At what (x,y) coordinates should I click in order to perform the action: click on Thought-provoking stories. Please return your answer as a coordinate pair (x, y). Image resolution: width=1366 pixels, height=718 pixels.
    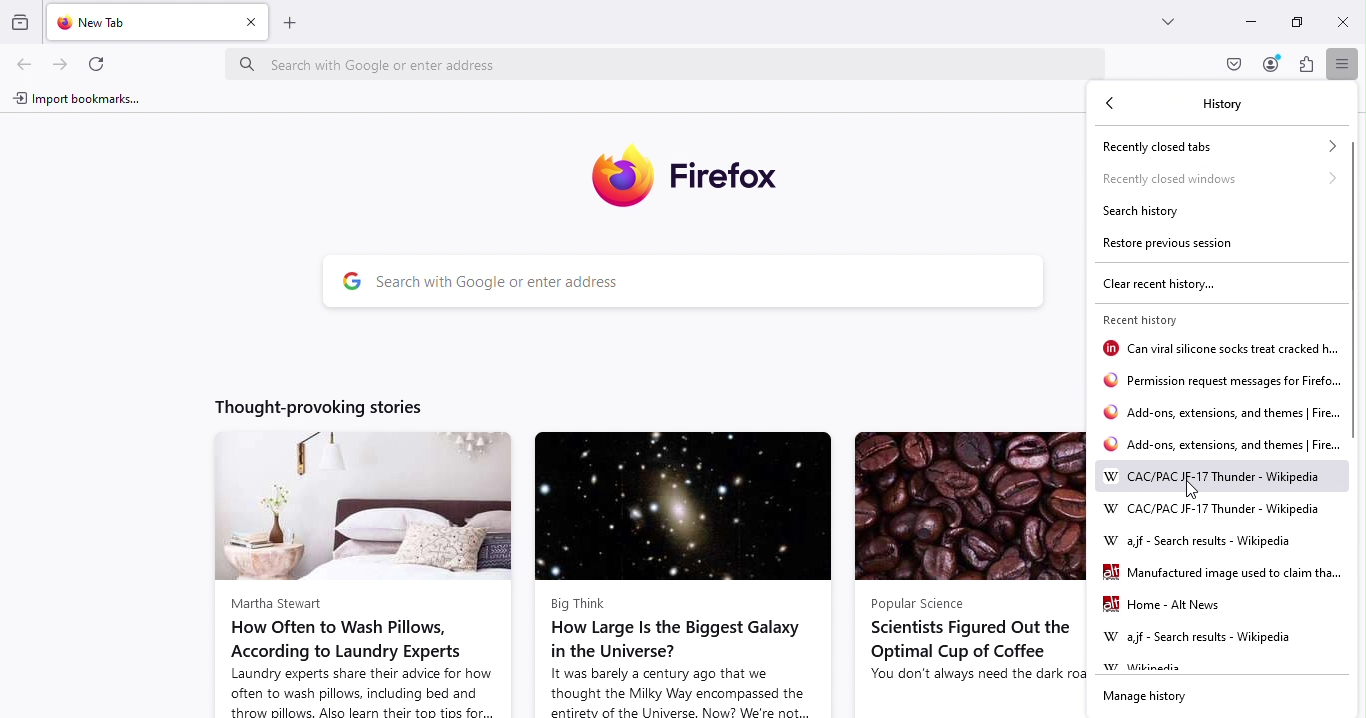
    Looking at the image, I should click on (336, 403).